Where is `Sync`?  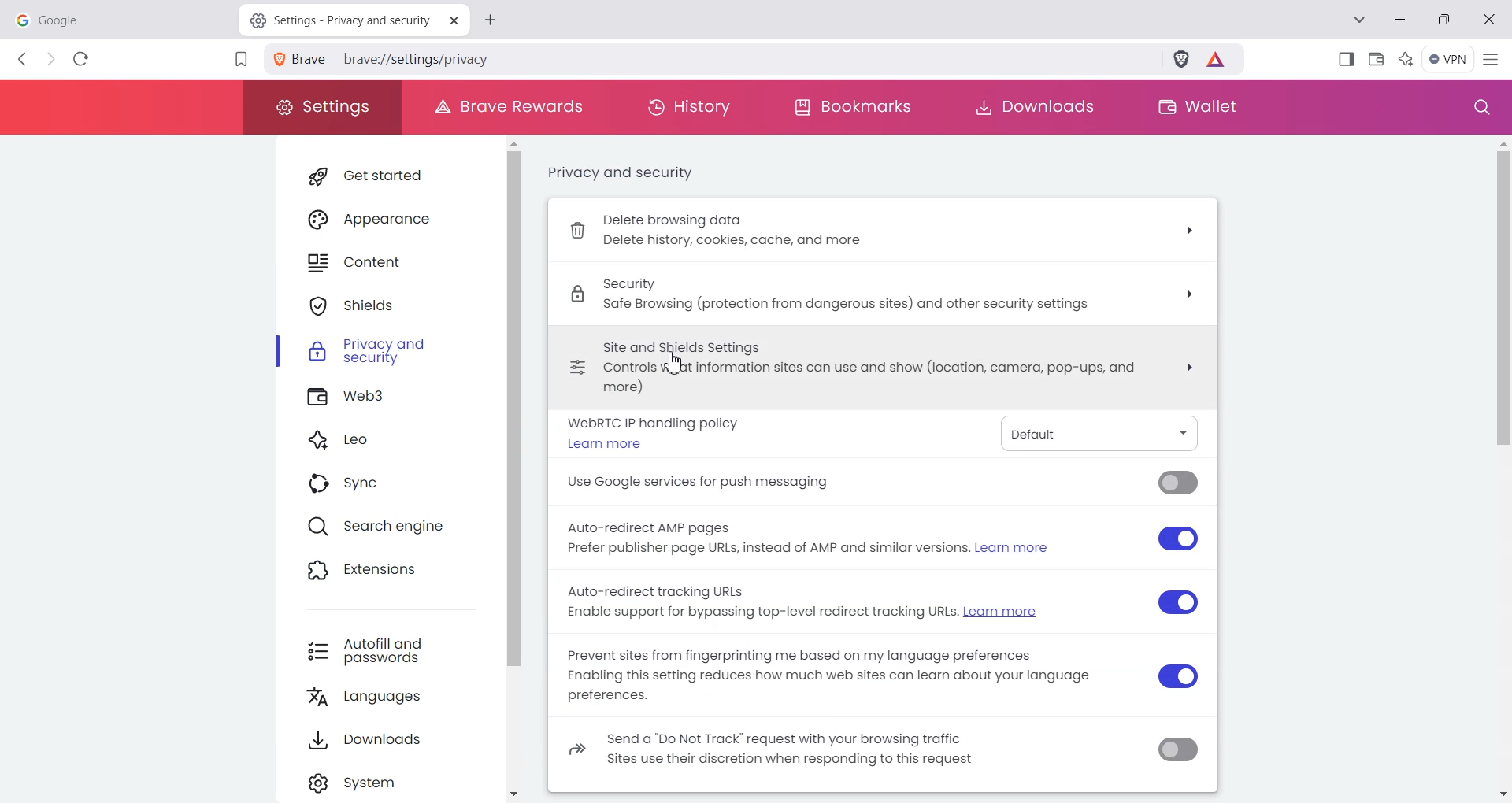 Sync is located at coordinates (387, 485).